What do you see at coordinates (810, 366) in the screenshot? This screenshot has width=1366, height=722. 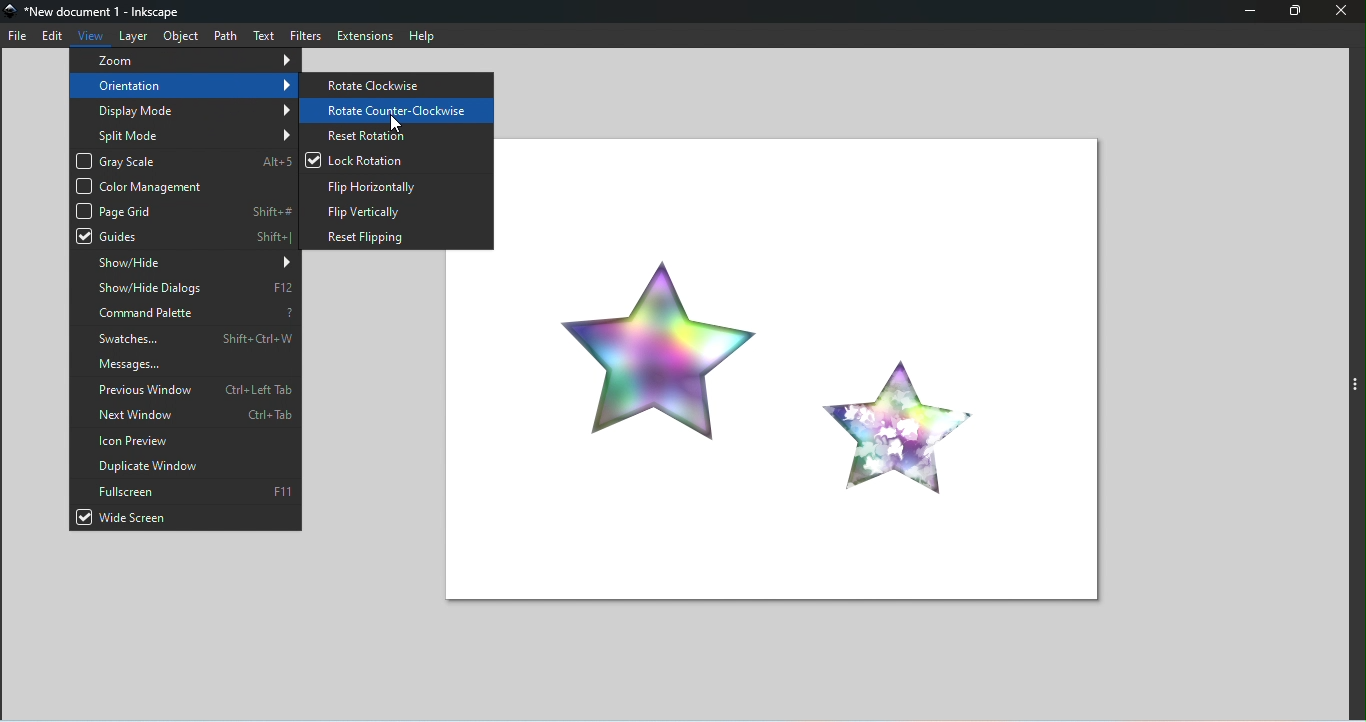 I see `Canvas` at bounding box center [810, 366].